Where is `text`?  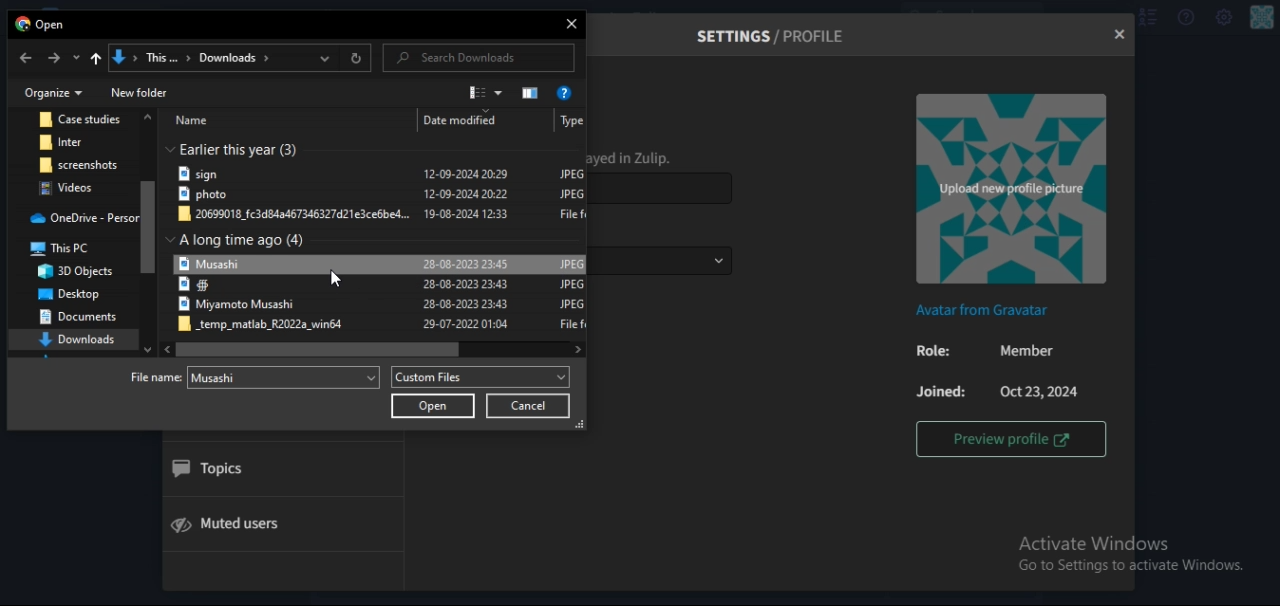
text is located at coordinates (376, 121).